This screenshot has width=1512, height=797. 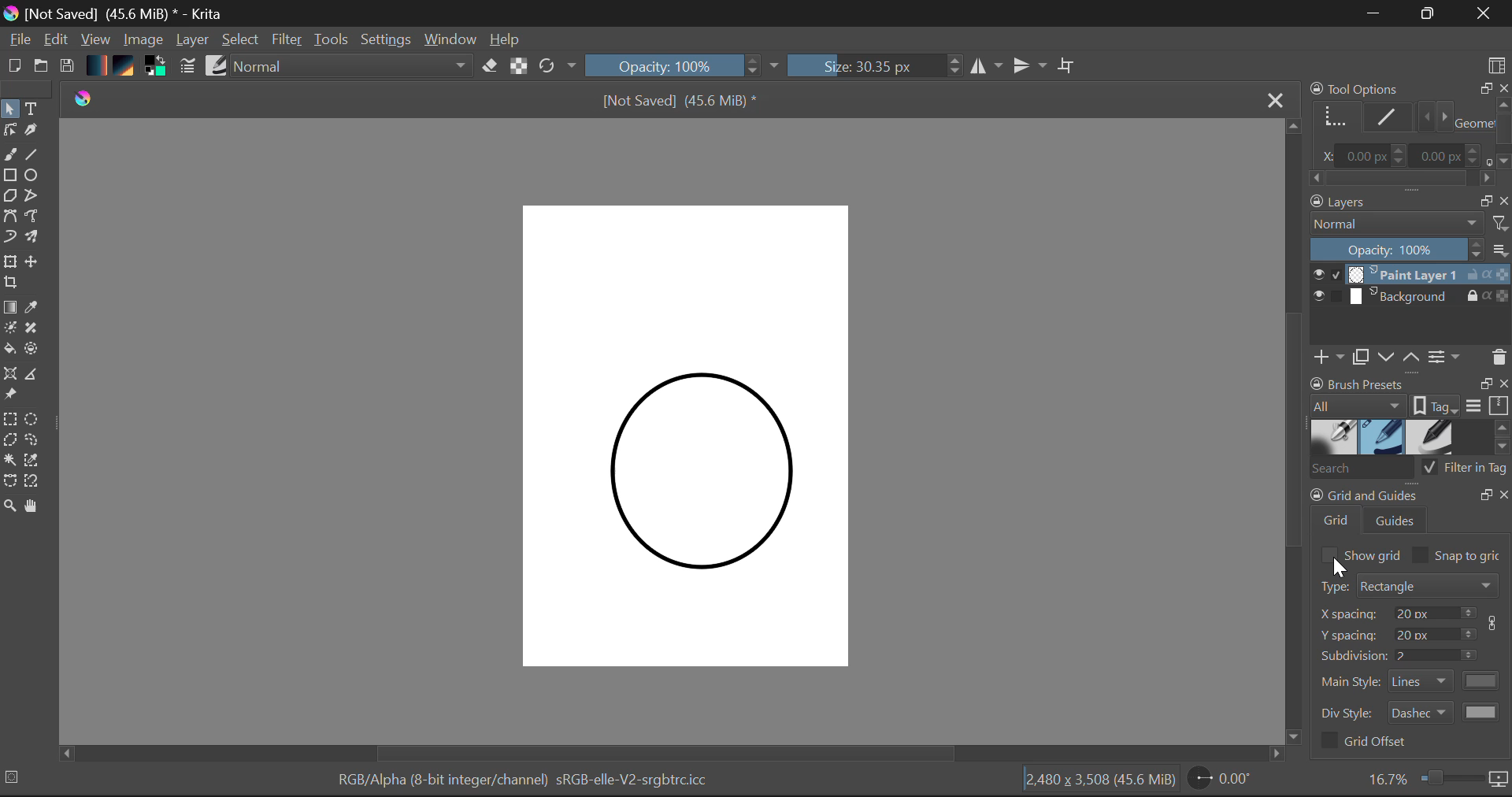 I want to click on Brush Size, so click(x=876, y=66).